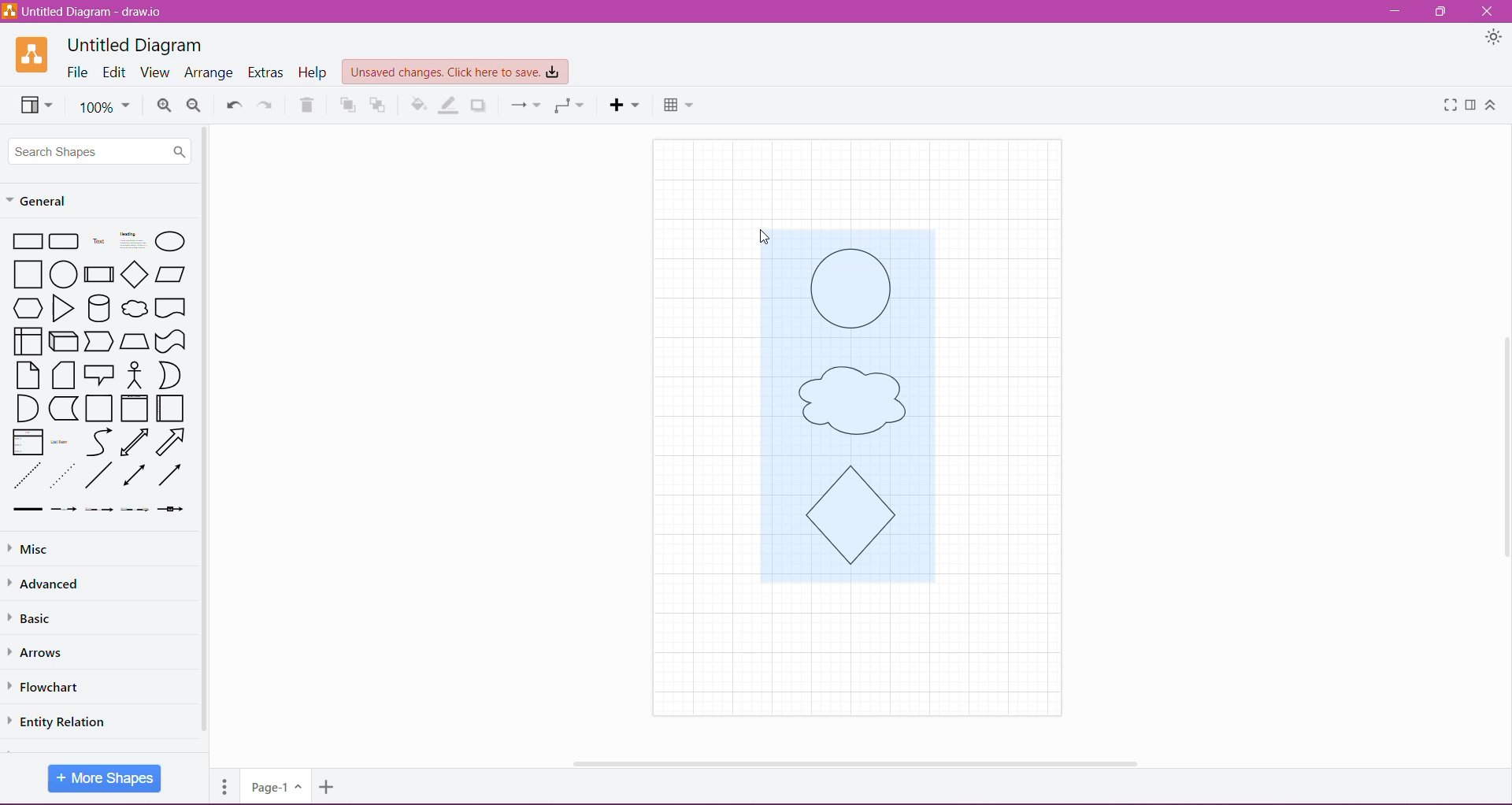  What do you see at coordinates (101, 150) in the screenshot?
I see `Search Shapes` at bounding box center [101, 150].